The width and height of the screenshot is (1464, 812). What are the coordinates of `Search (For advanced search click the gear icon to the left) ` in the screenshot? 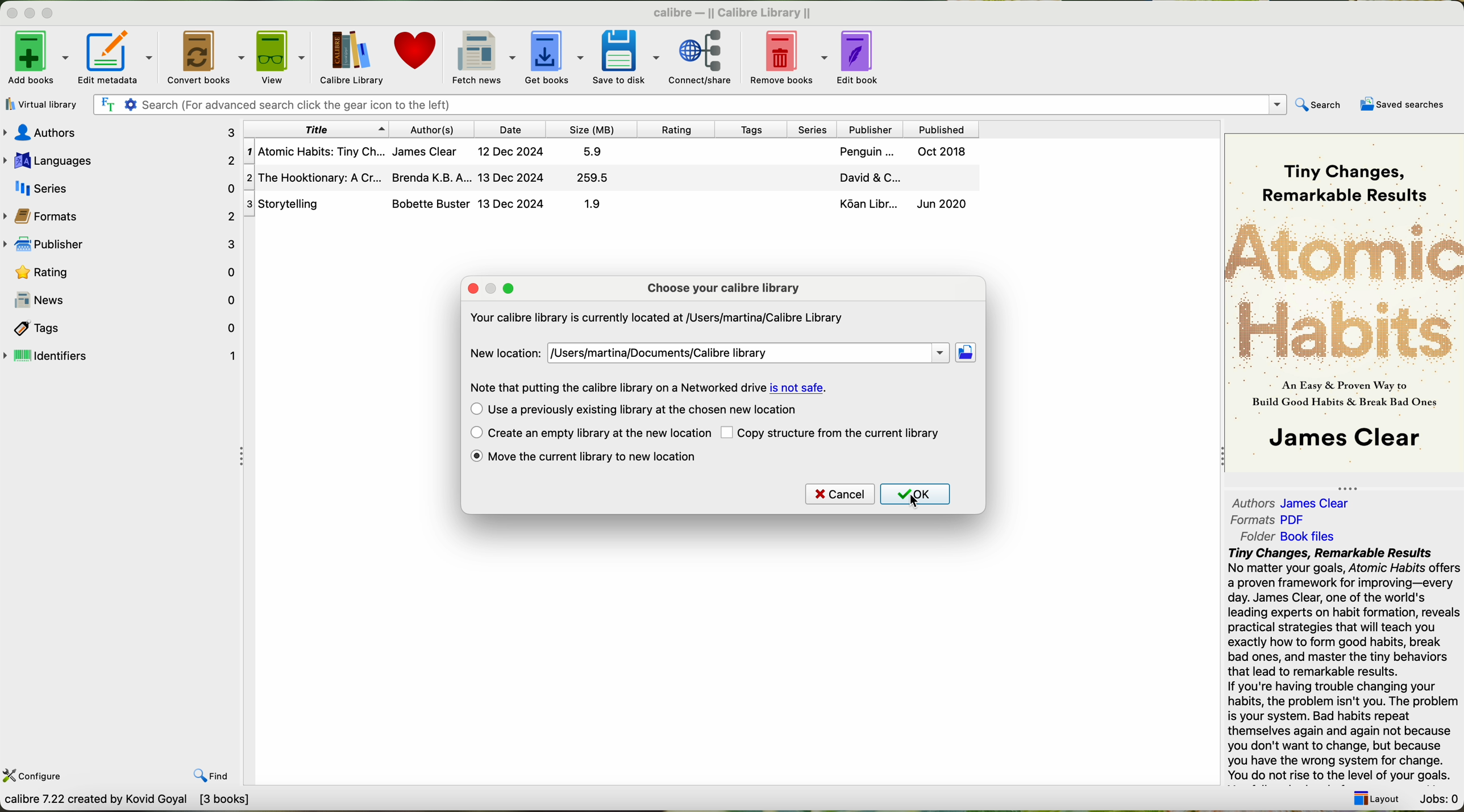 It's located at (688, 104).